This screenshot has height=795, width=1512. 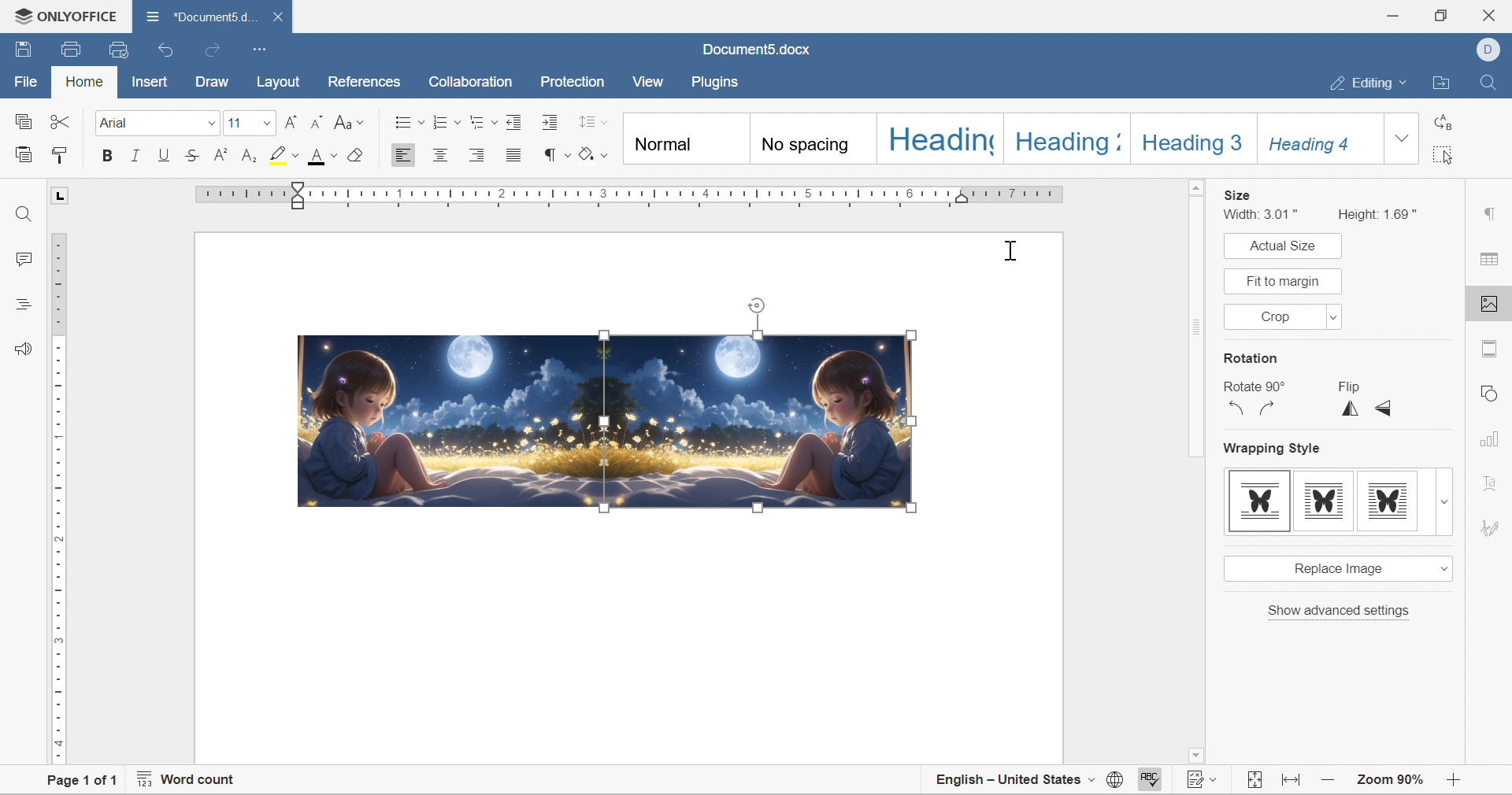 I want to click on image, so click(x=449, y=419).